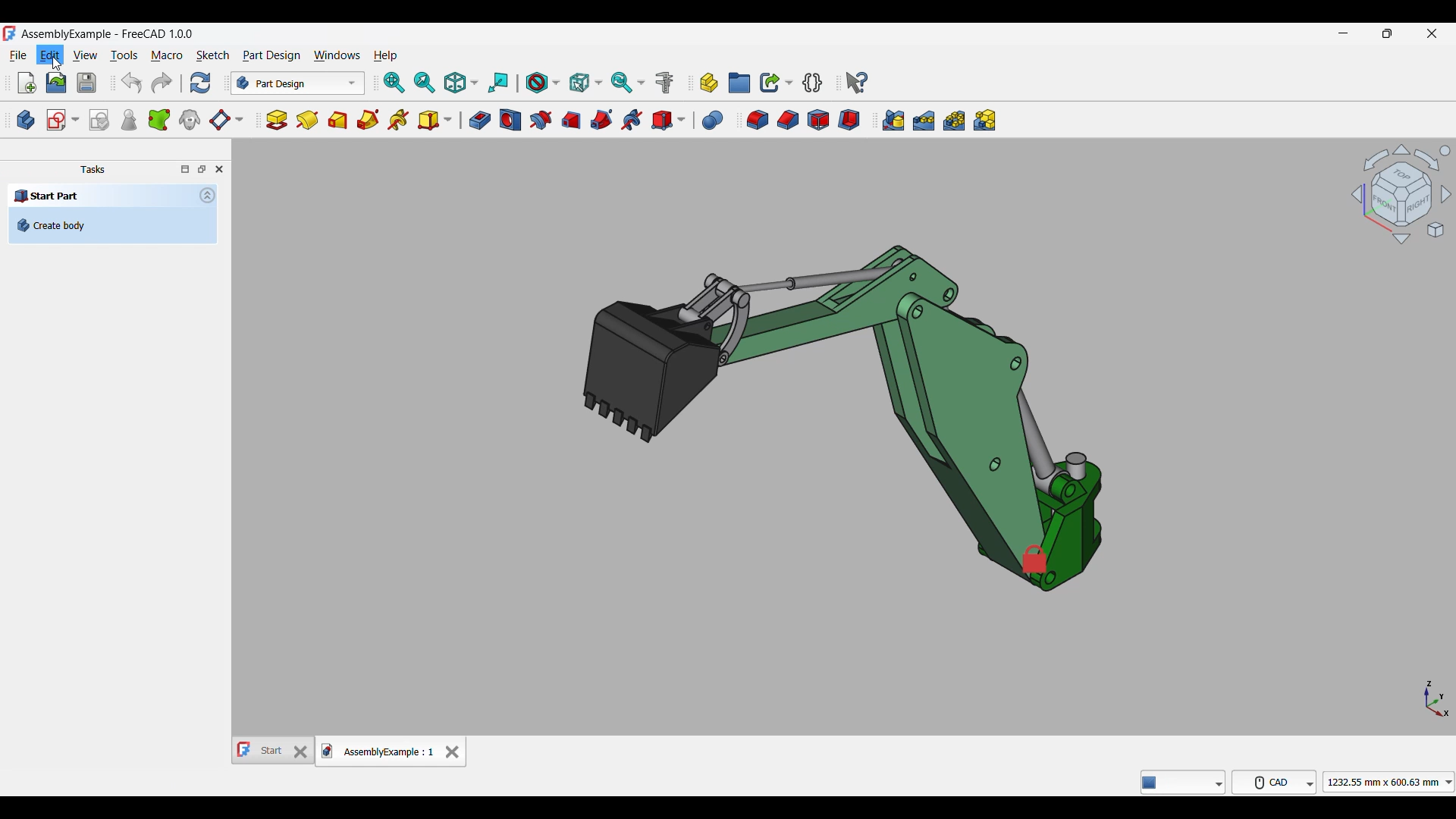  What do you see at coordinates (213, 55) in the screenshot?
I see `Sketch menu ` at bounding box center [213, 55].